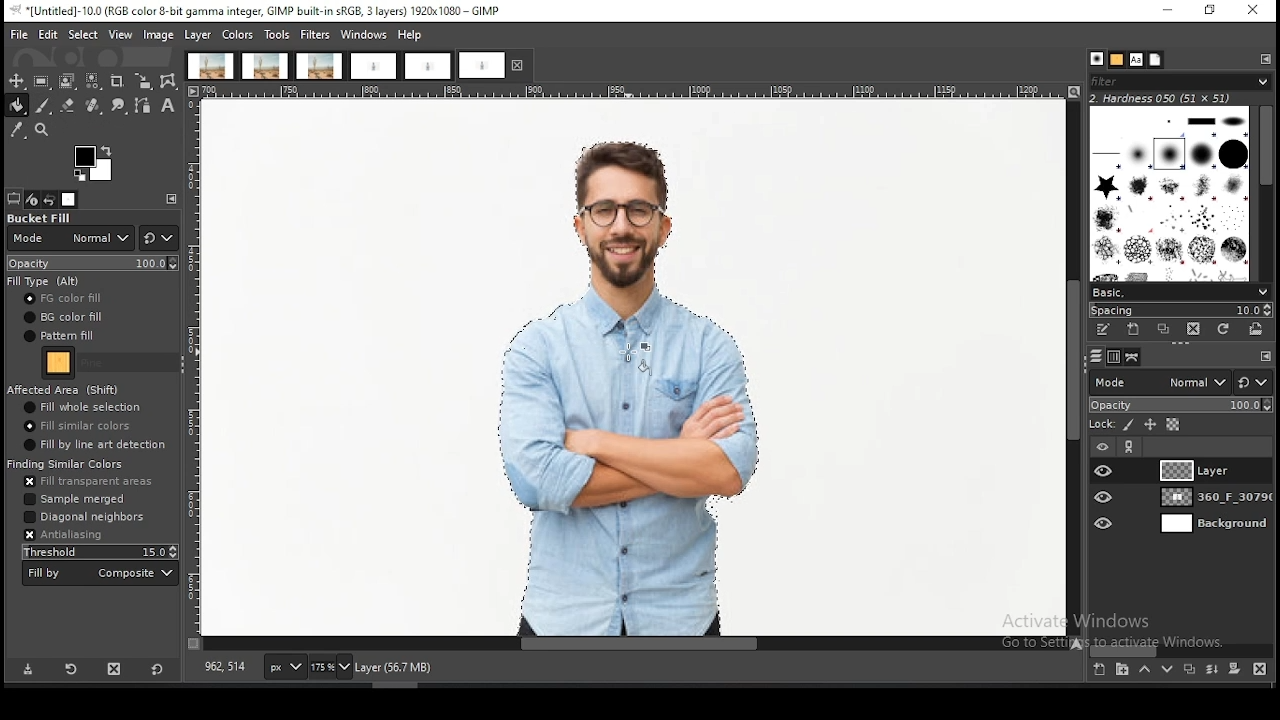 The image size is (1280, 720). What do you see at coordinates (73, 668) in the screenshot?
I see `restore tool preset` at bounding box center [73, 668].